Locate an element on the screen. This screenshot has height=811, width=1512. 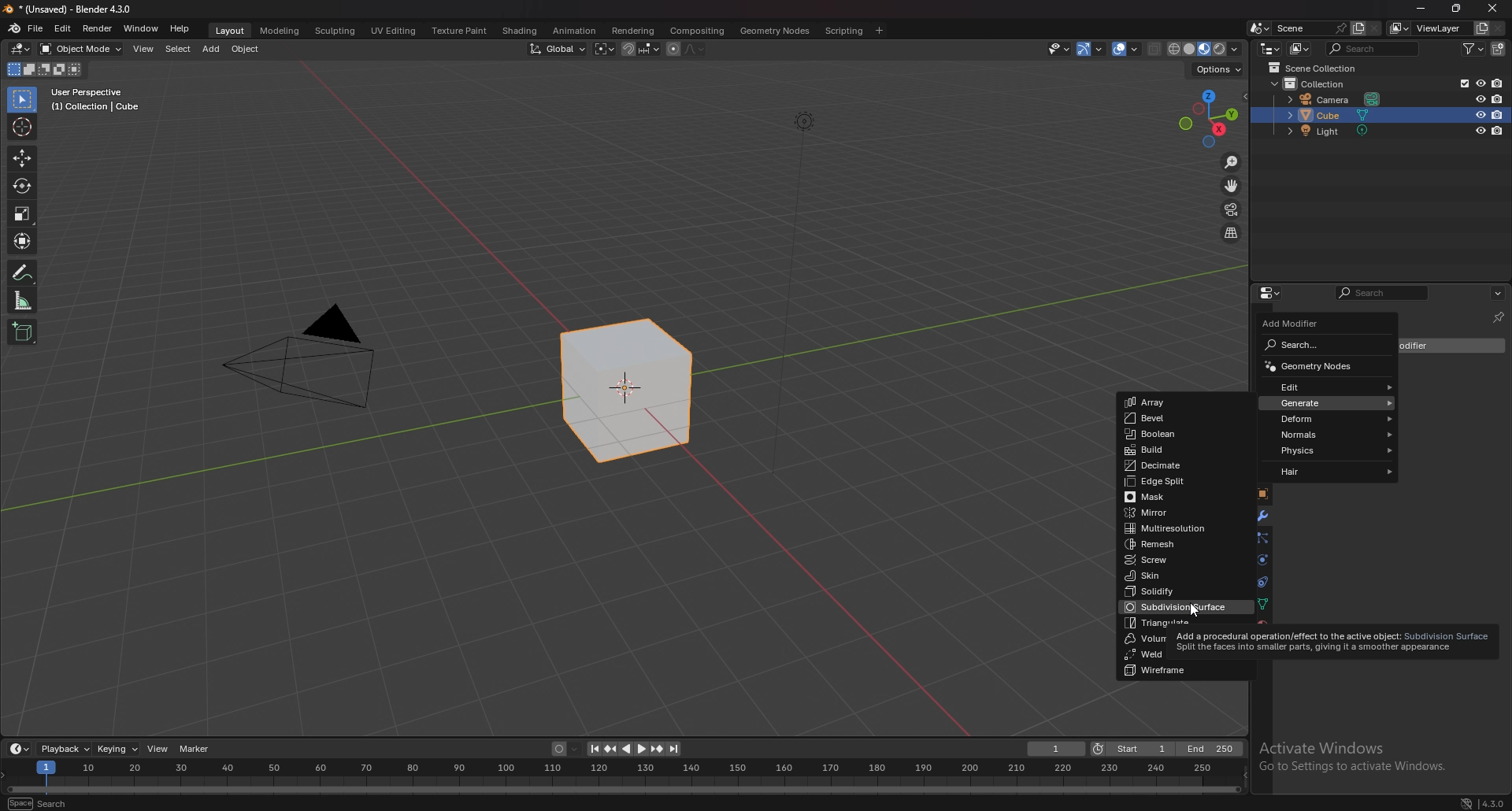
cursor is located at coordinates (1202, 607).